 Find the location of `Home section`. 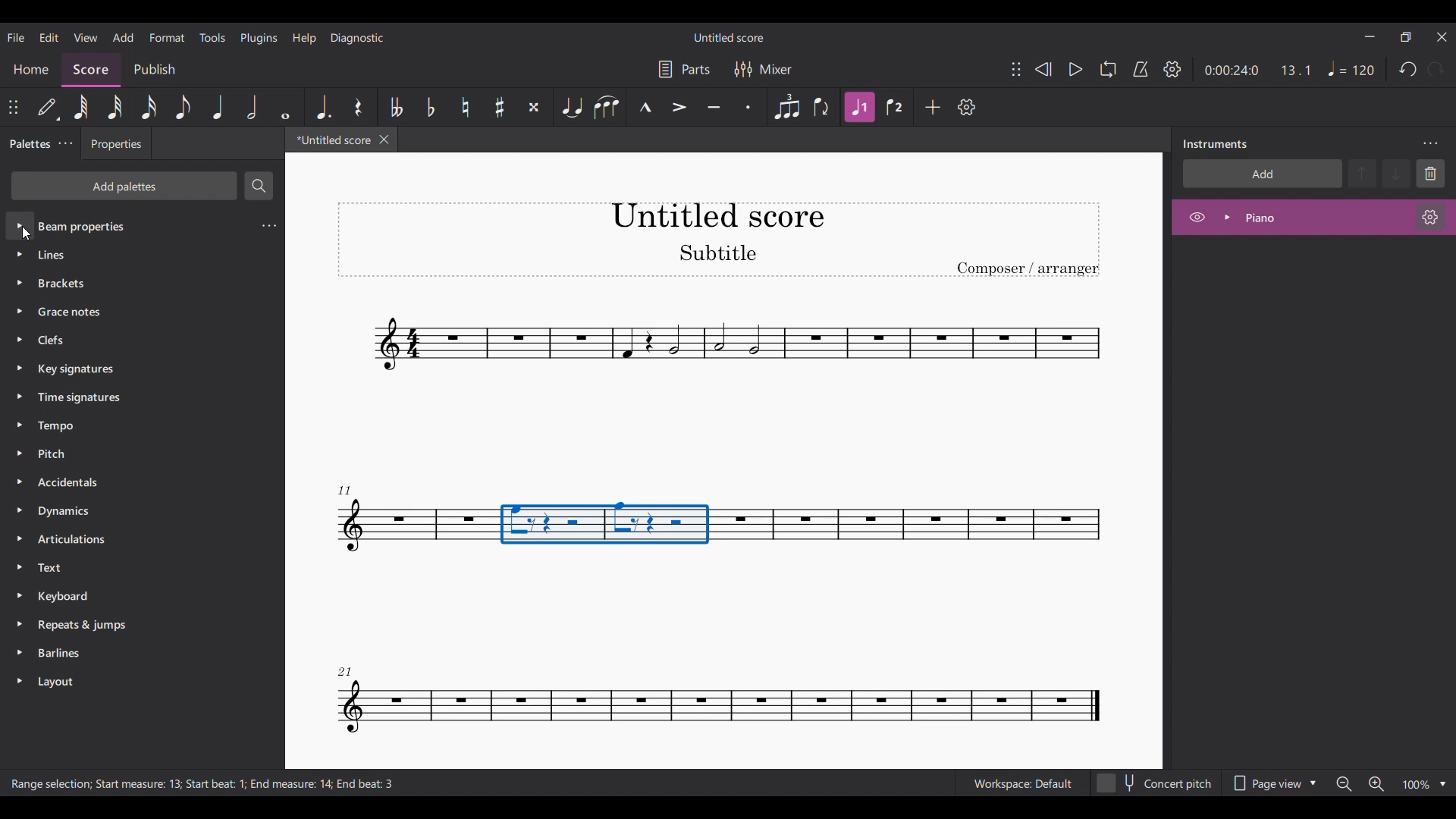

Home section is located at coordinates (31, 69).